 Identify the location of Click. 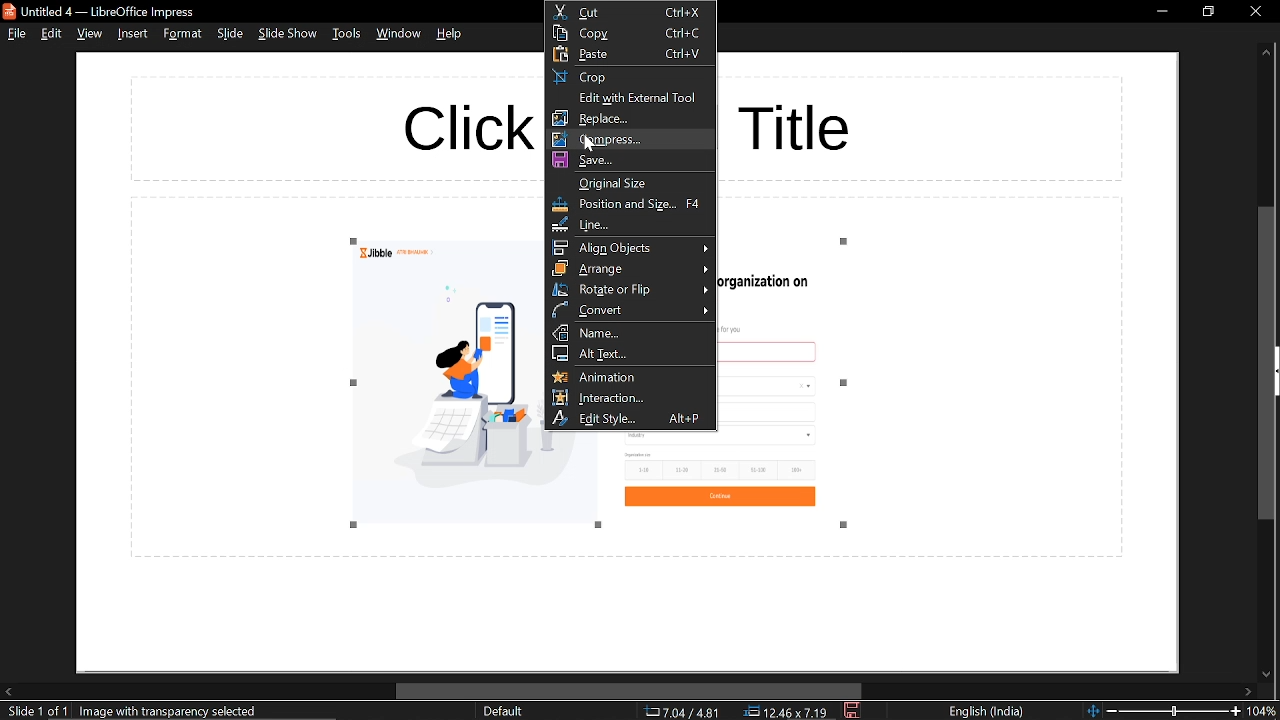
(469, 124).